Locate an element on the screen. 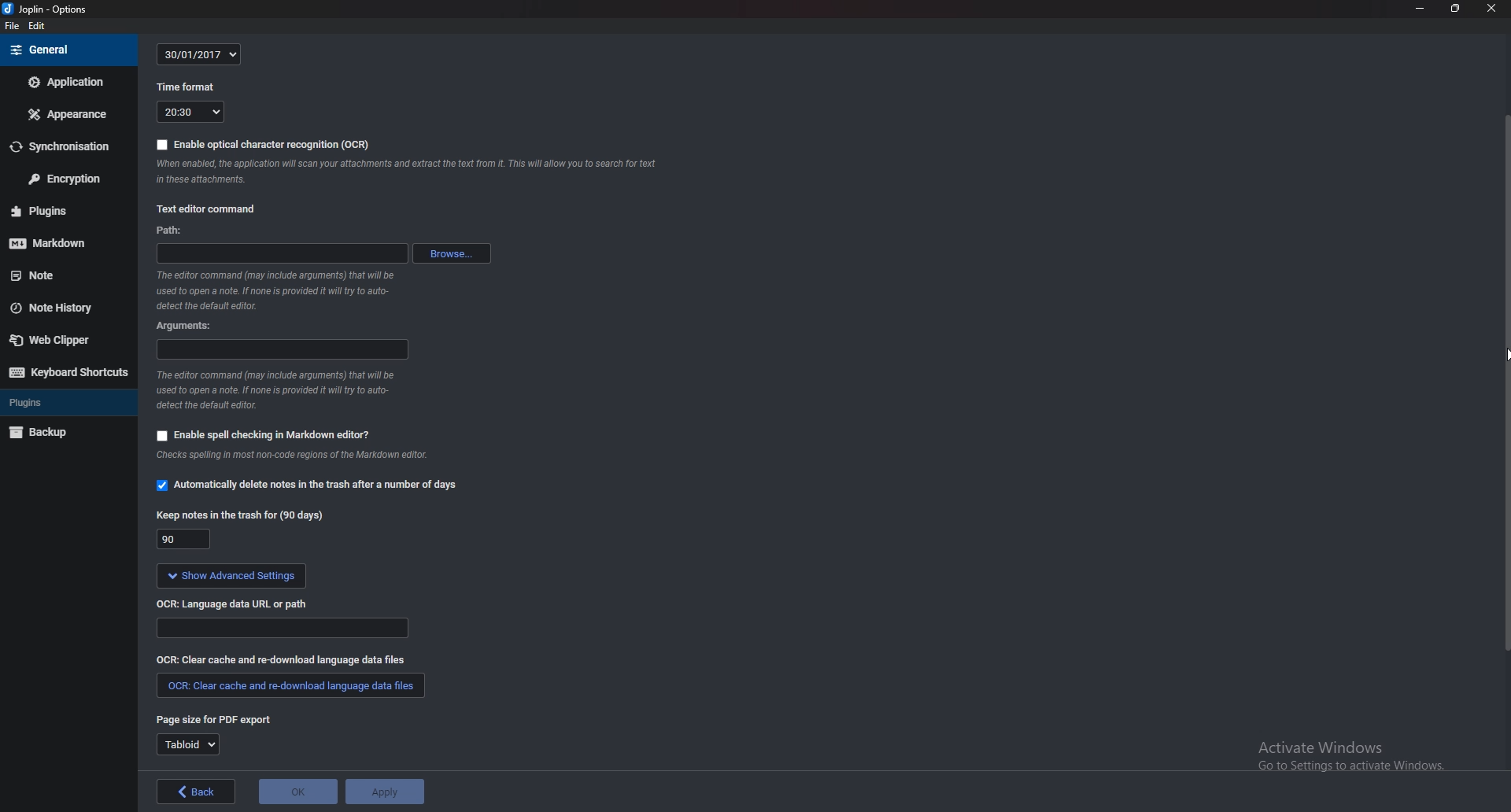 Image resolution: width=1511 pixels, height=812 pixels. Appearance is located at coordinates (68, 114).